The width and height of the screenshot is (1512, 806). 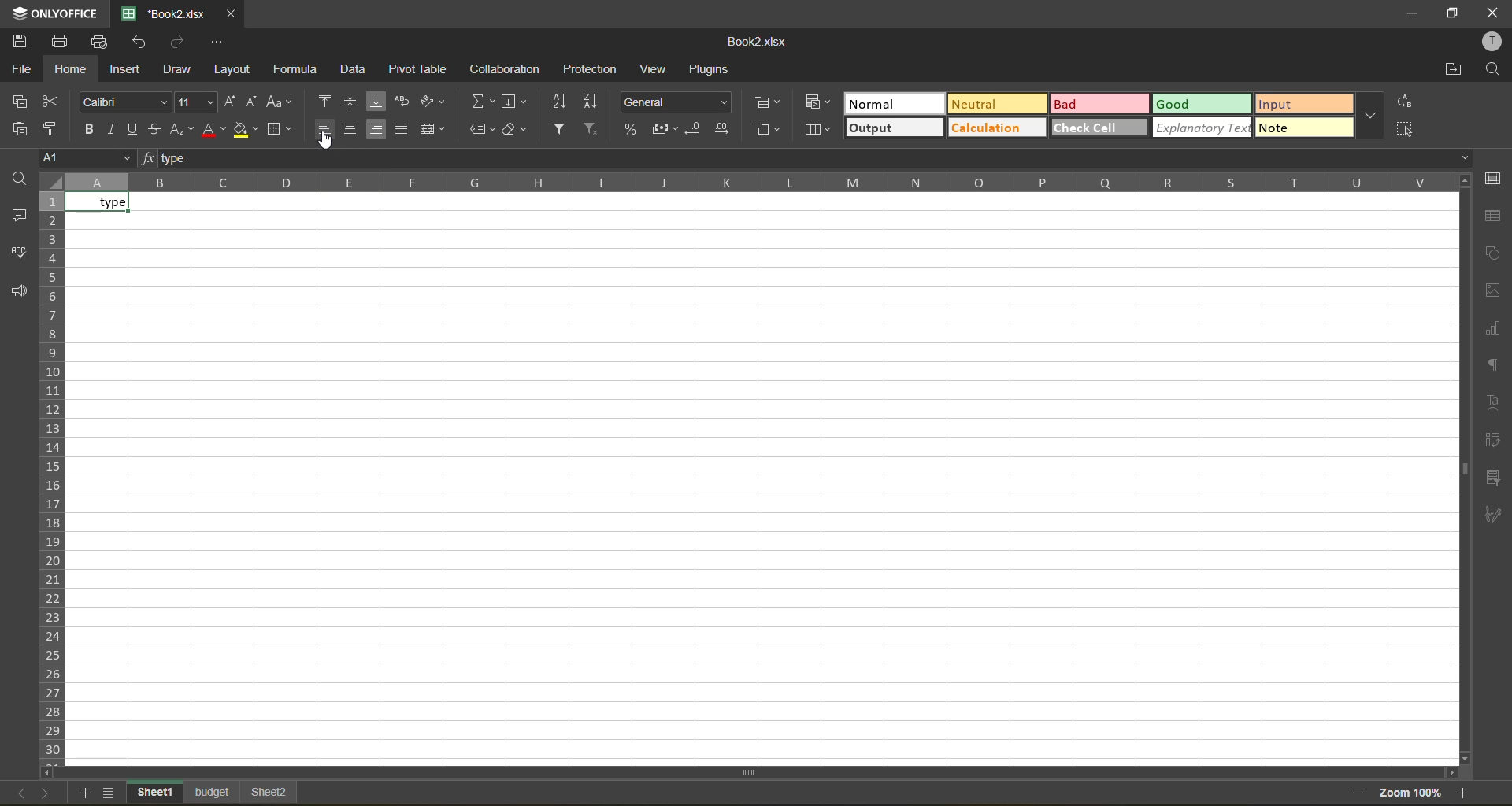 What do you see at coordinates (215, 131) in the screenshot?
I see `font color` at bounding box center [215, 131].